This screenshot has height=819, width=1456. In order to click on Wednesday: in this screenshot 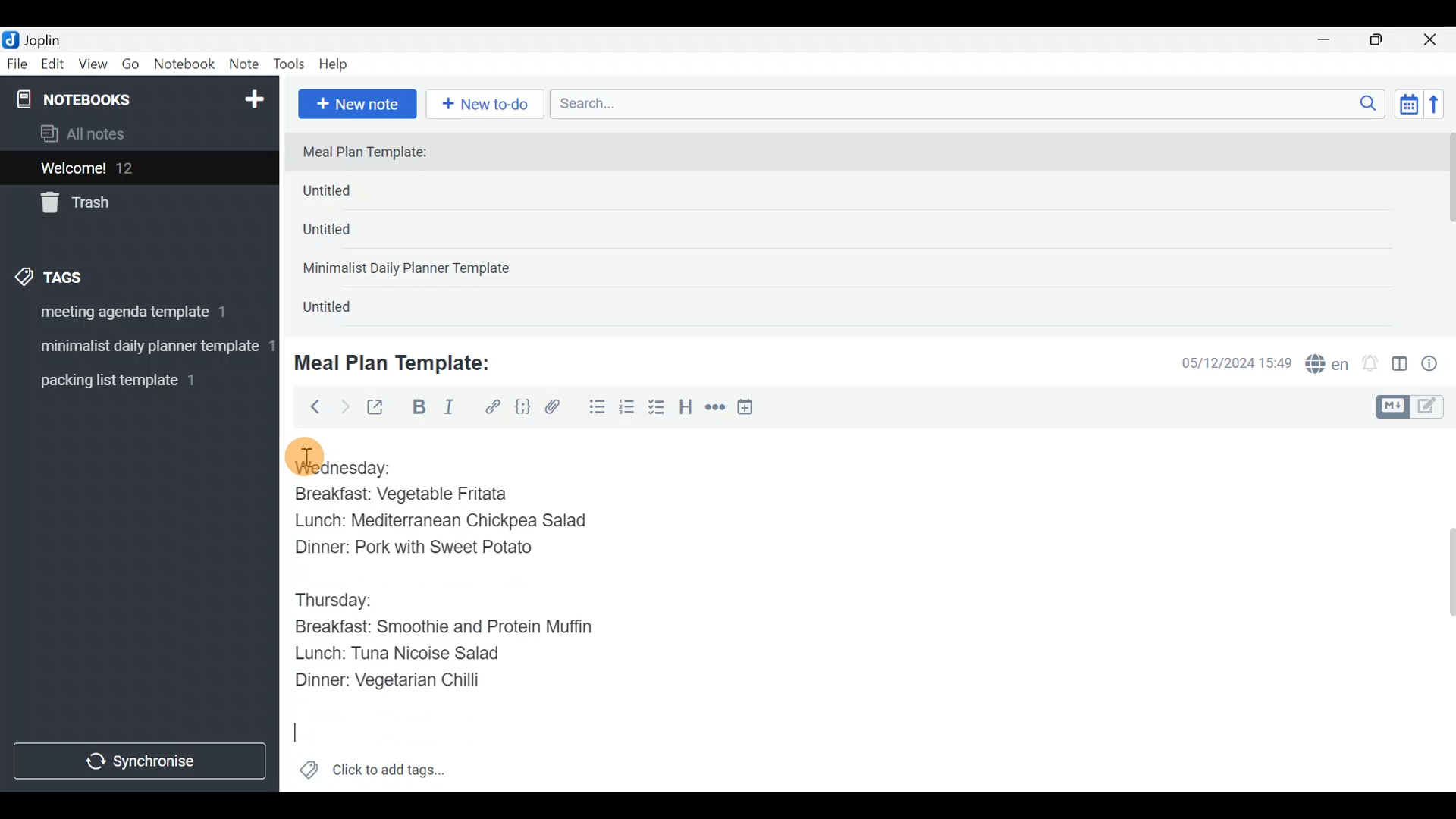, I will do `click(341, 469)`.